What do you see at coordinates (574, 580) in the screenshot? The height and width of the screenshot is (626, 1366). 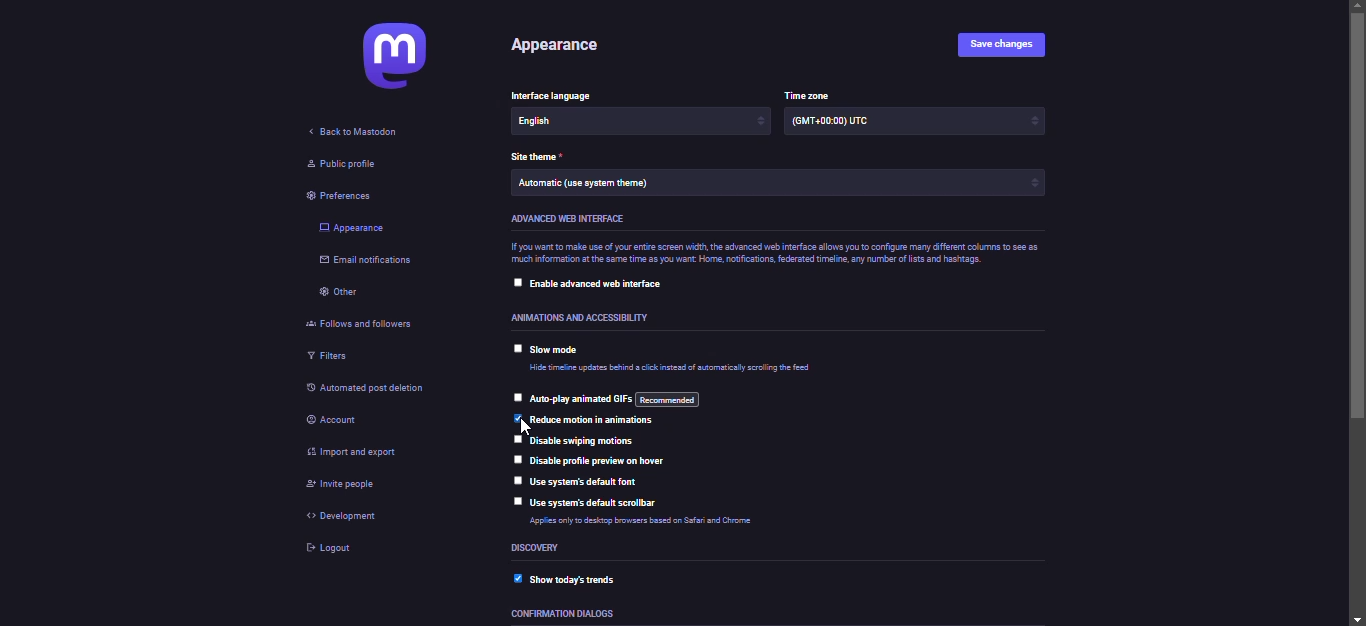 I see `show today's trends` at bounding box center [574, 580].